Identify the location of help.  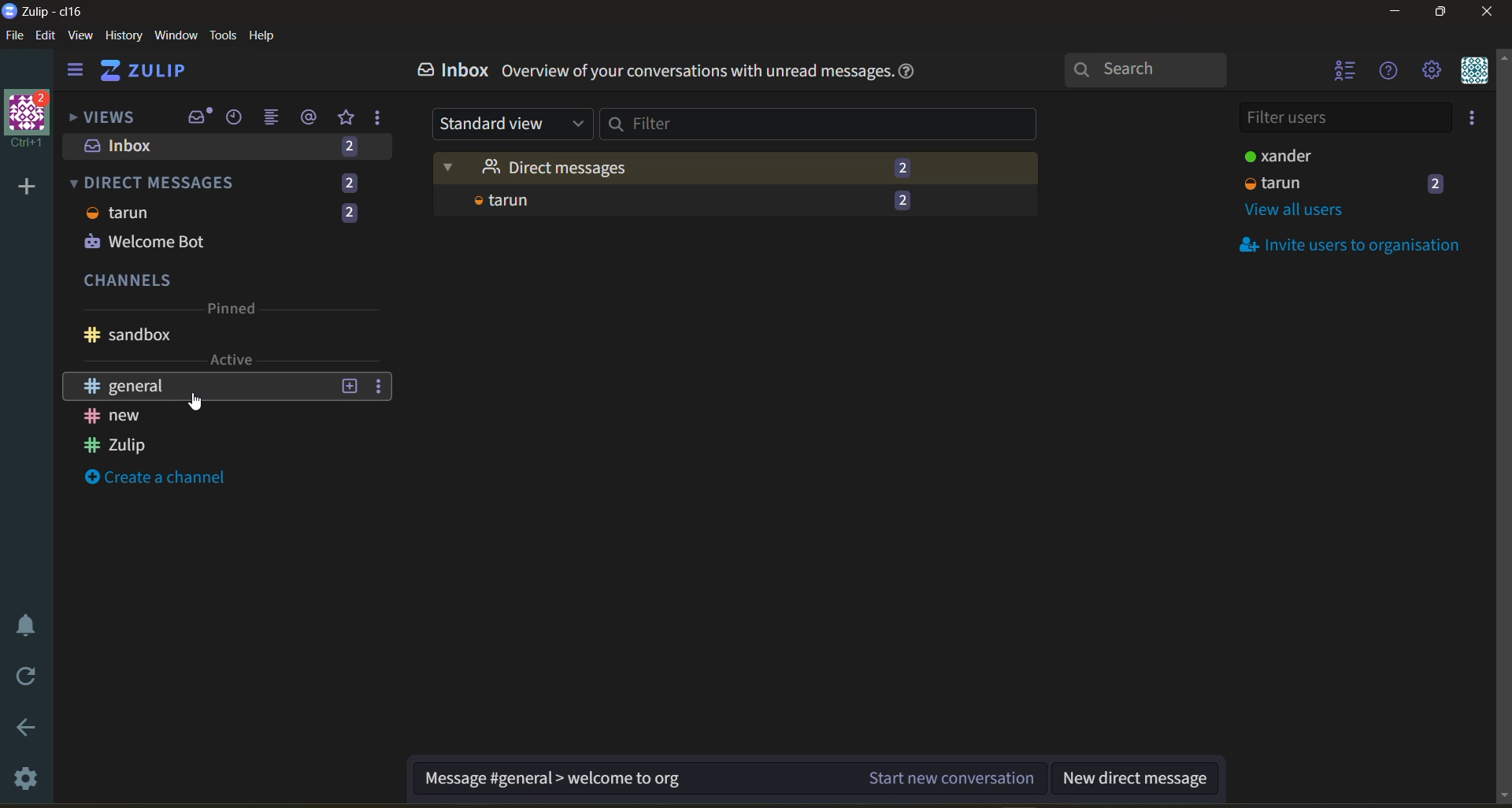
(268, 36).